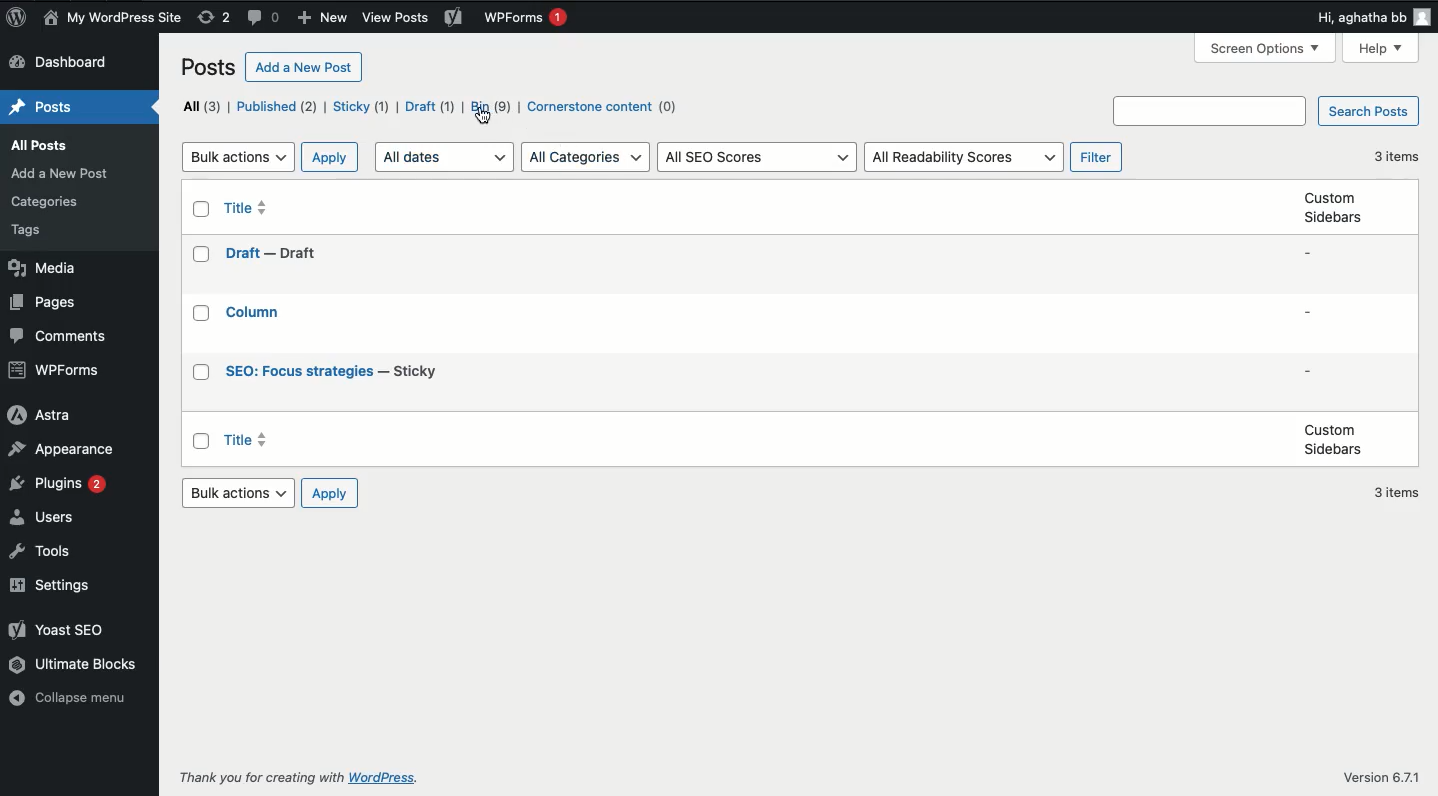 Image resolution: width=1438 pixels, height=796 pixels. What do you see at coordinates (55, 584) in the screenshot?
I see `Settings` at bounding box center [55, 584].